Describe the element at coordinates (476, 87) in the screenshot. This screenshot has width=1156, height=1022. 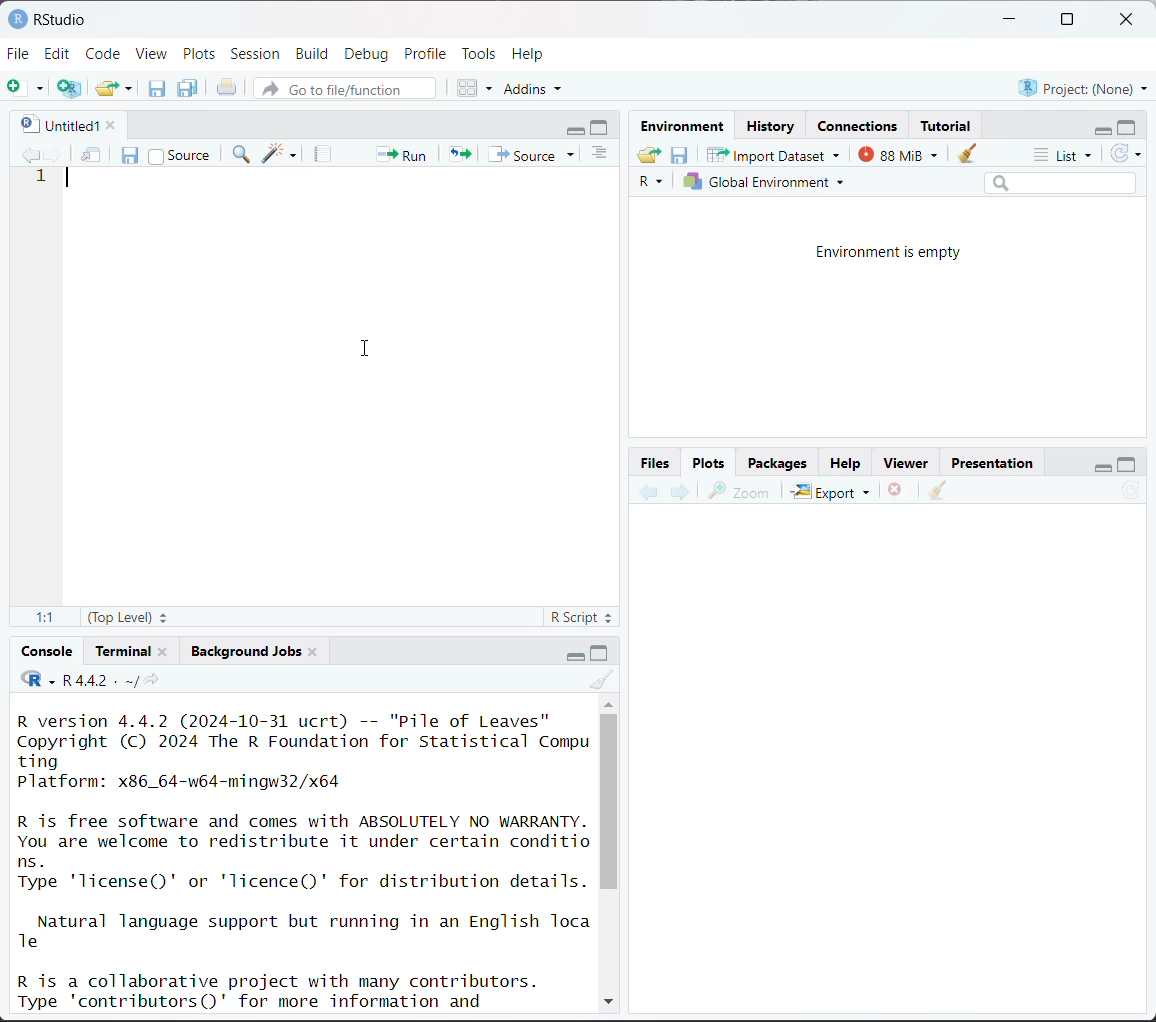
I see `workspace panes` at that location.